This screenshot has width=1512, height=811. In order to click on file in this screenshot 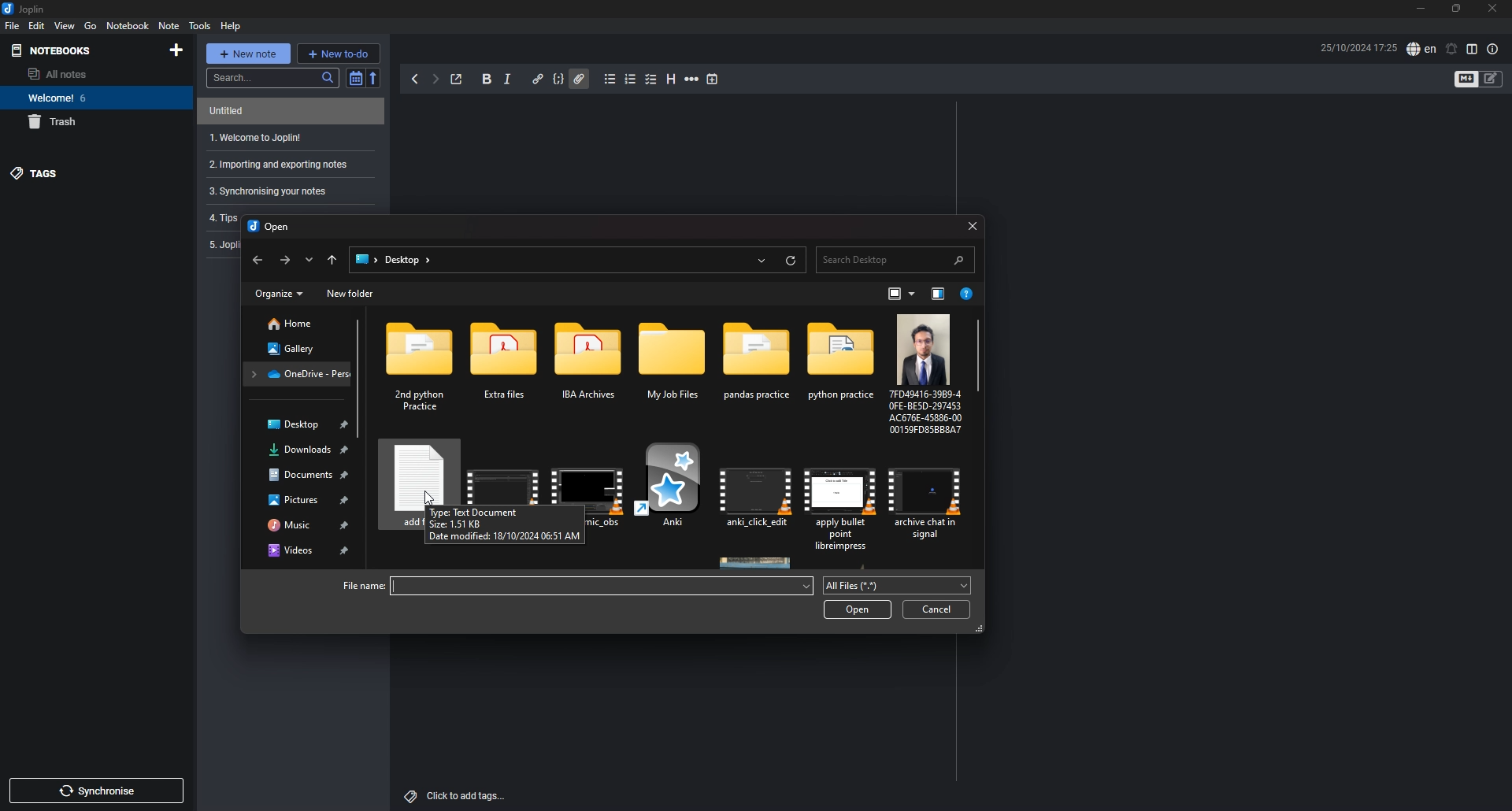, I will do `click(843, 499)`.